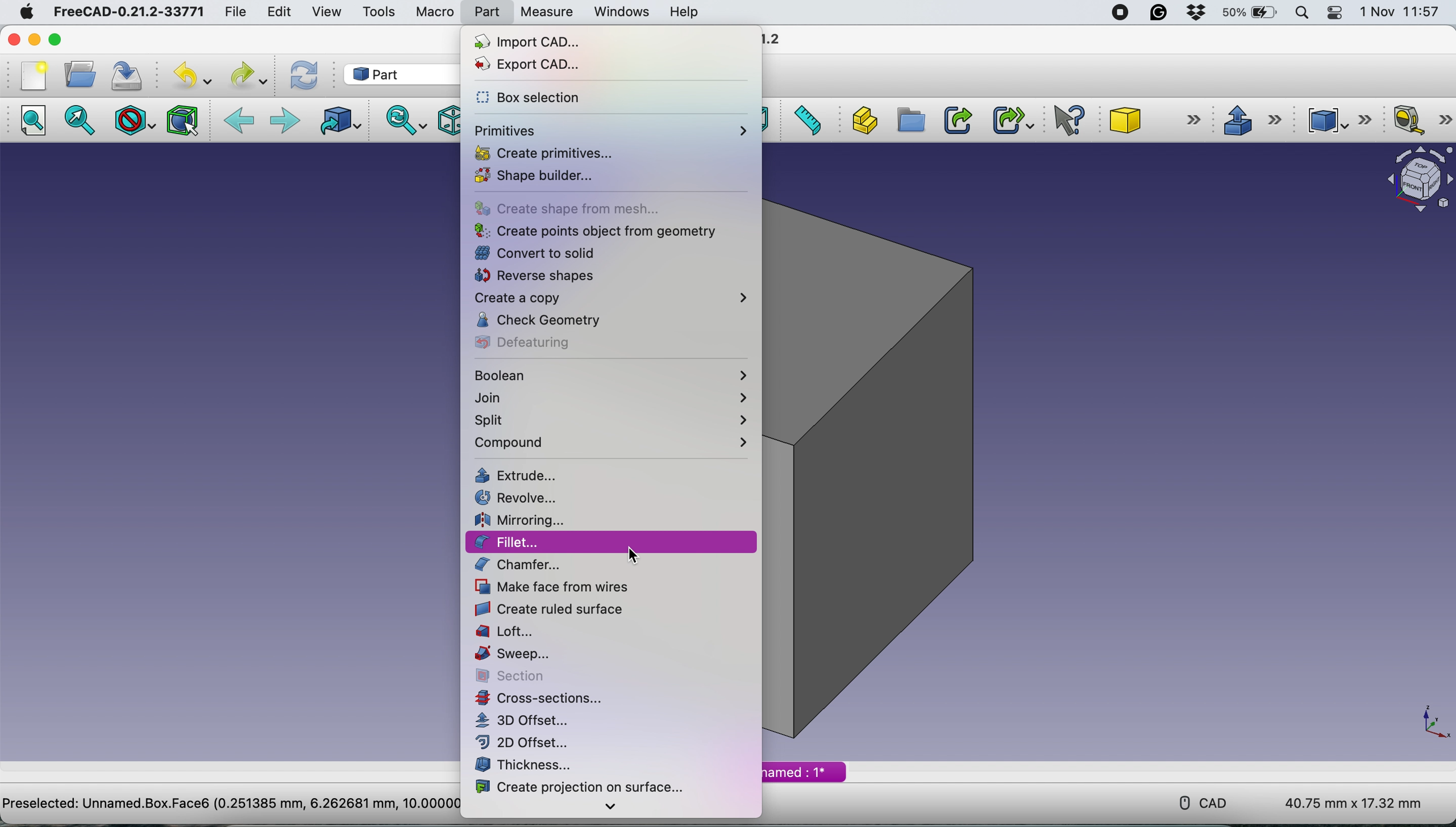 Image resolution: width=1456 pixels, height=827 pixels. Describe the element at coordinates (582, 787) in the screenshot. I see `create projection on surface` at that location.